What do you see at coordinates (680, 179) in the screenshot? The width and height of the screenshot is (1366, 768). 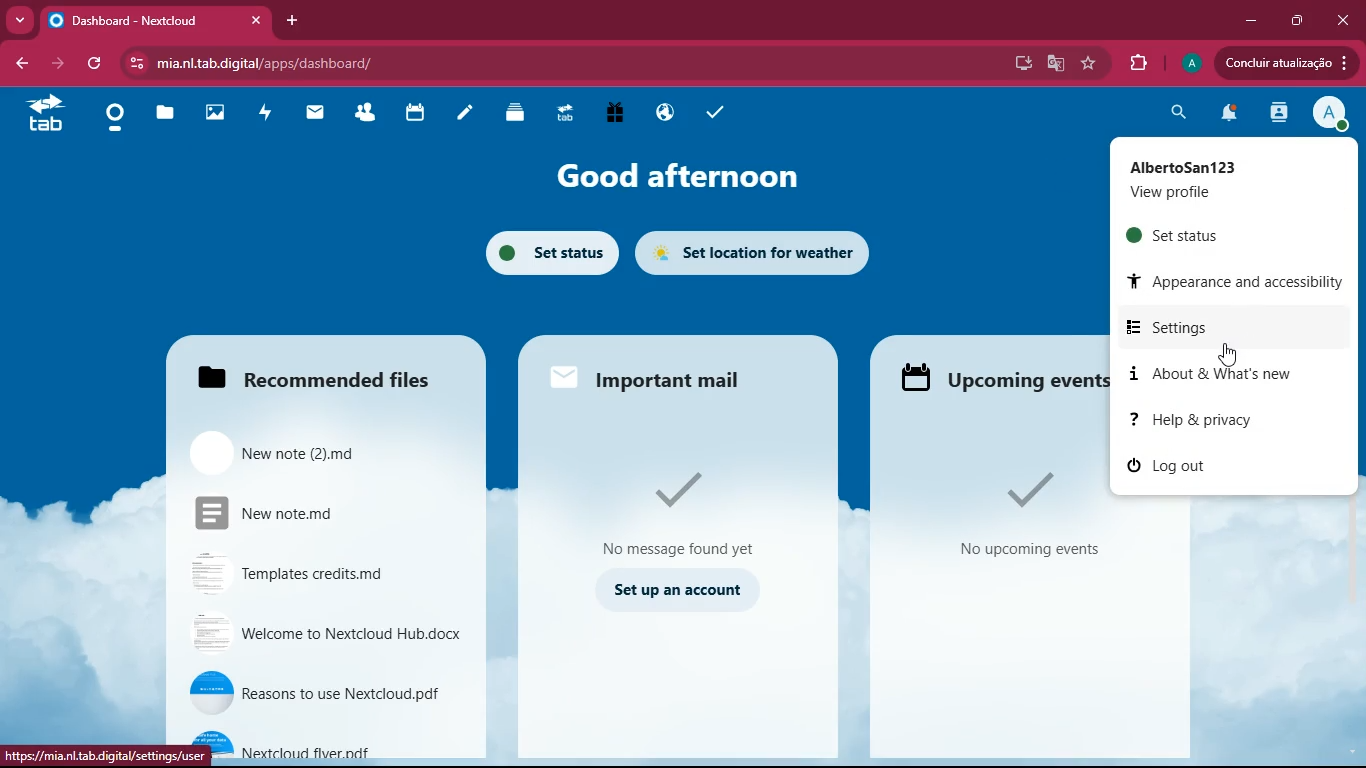 I see `good afternoon` at bounding box center [680, 179].